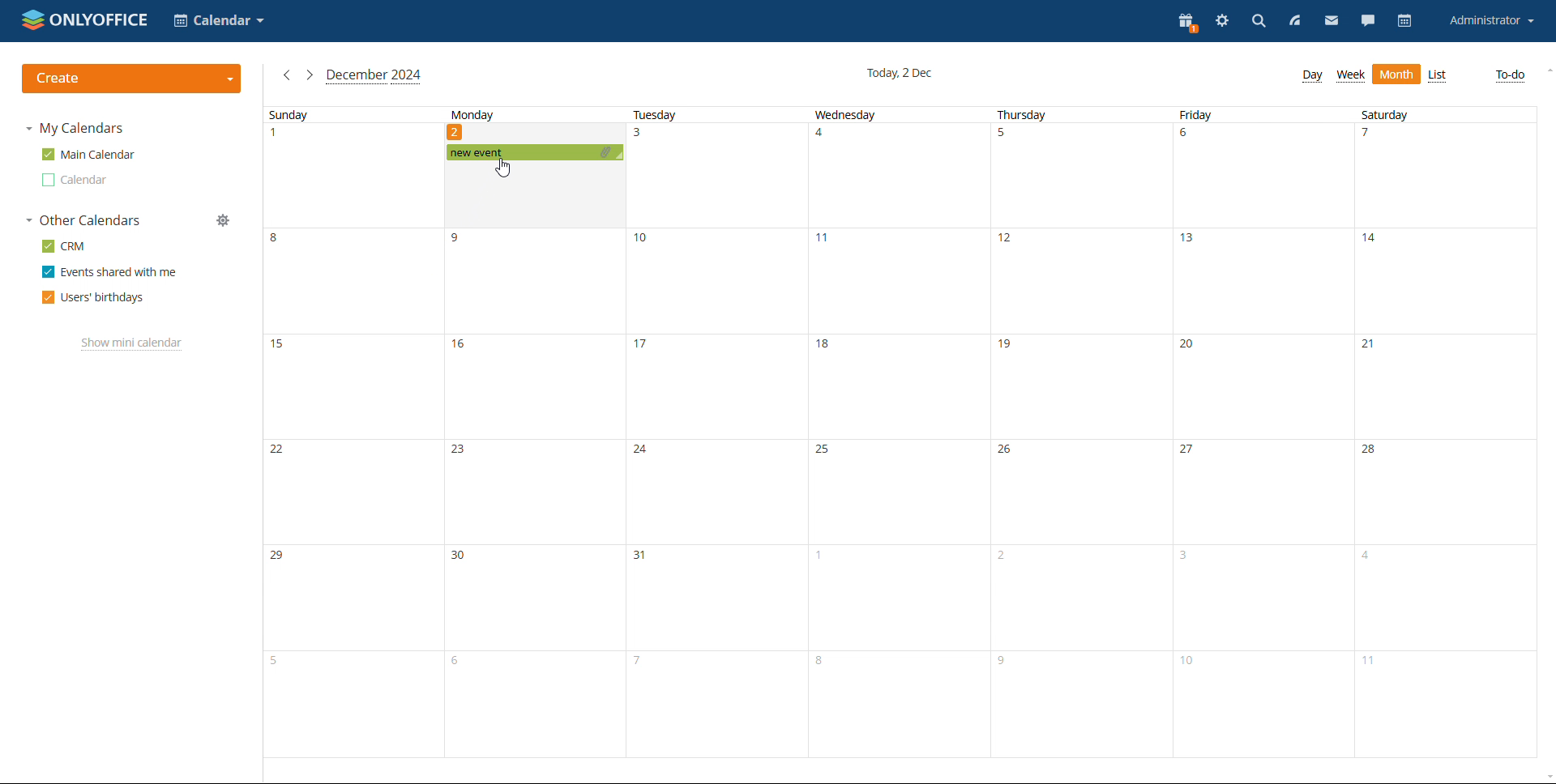  Describe the element at coordinates (473, 114) in the screenshot. I see `Monday` at that location.